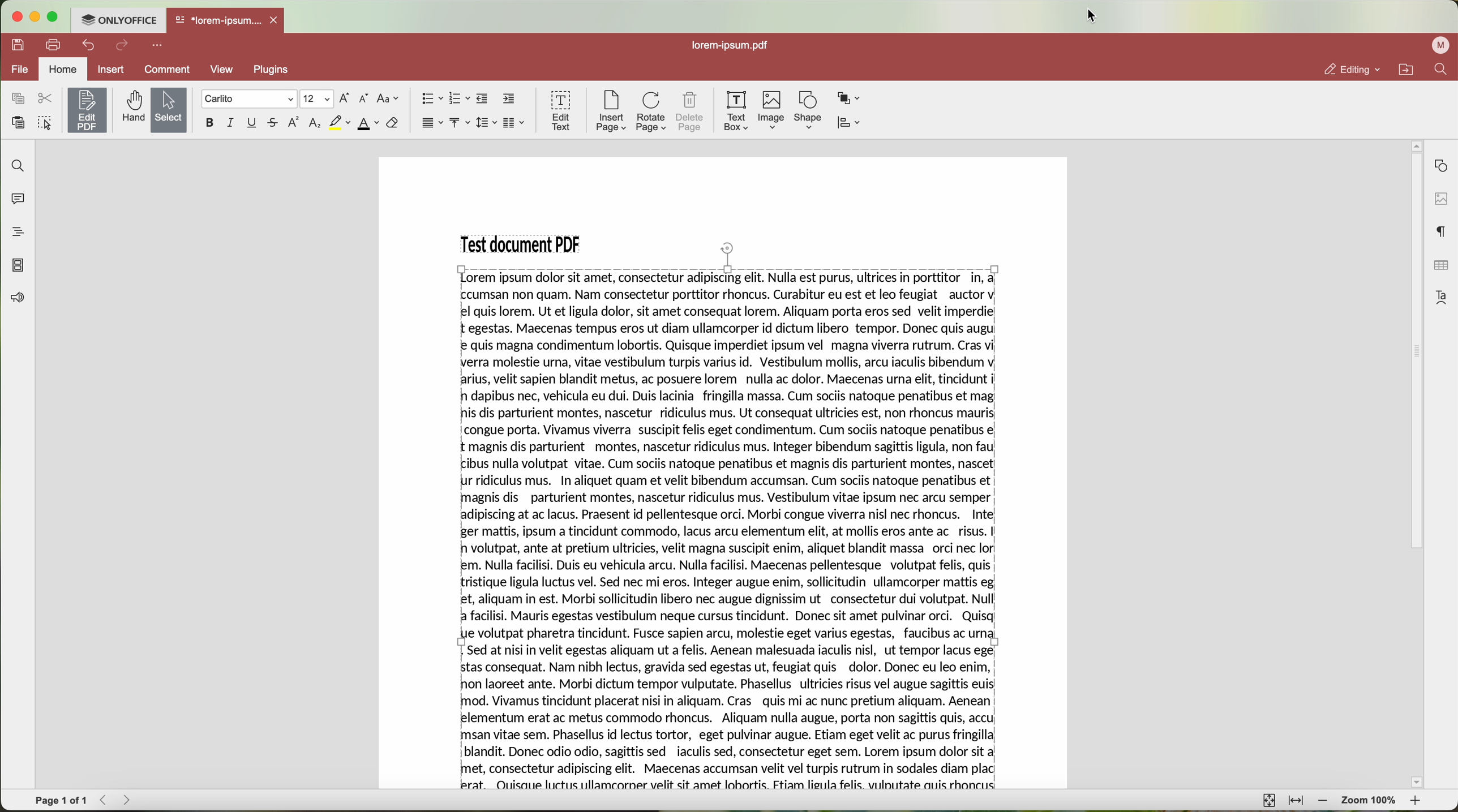  Describe the element at coordinates (486, 123) in the screenshot. I see `line spacing` at that location.